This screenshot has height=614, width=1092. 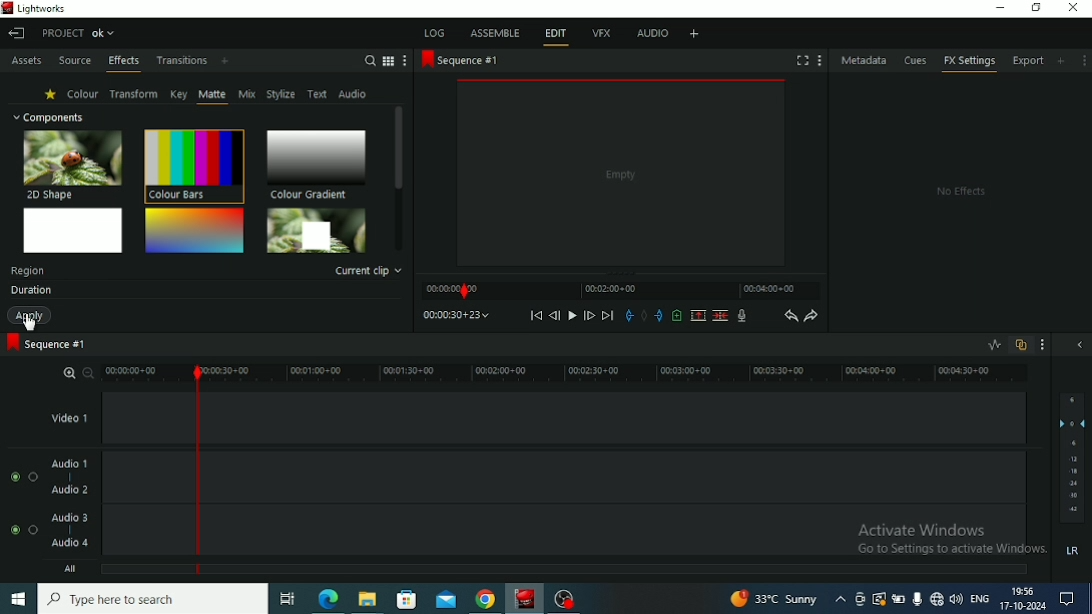 What do you see at coordinates (1084, 60) in the screenshot?
I see `Show setting menu` at bounding box center [1084, 60].